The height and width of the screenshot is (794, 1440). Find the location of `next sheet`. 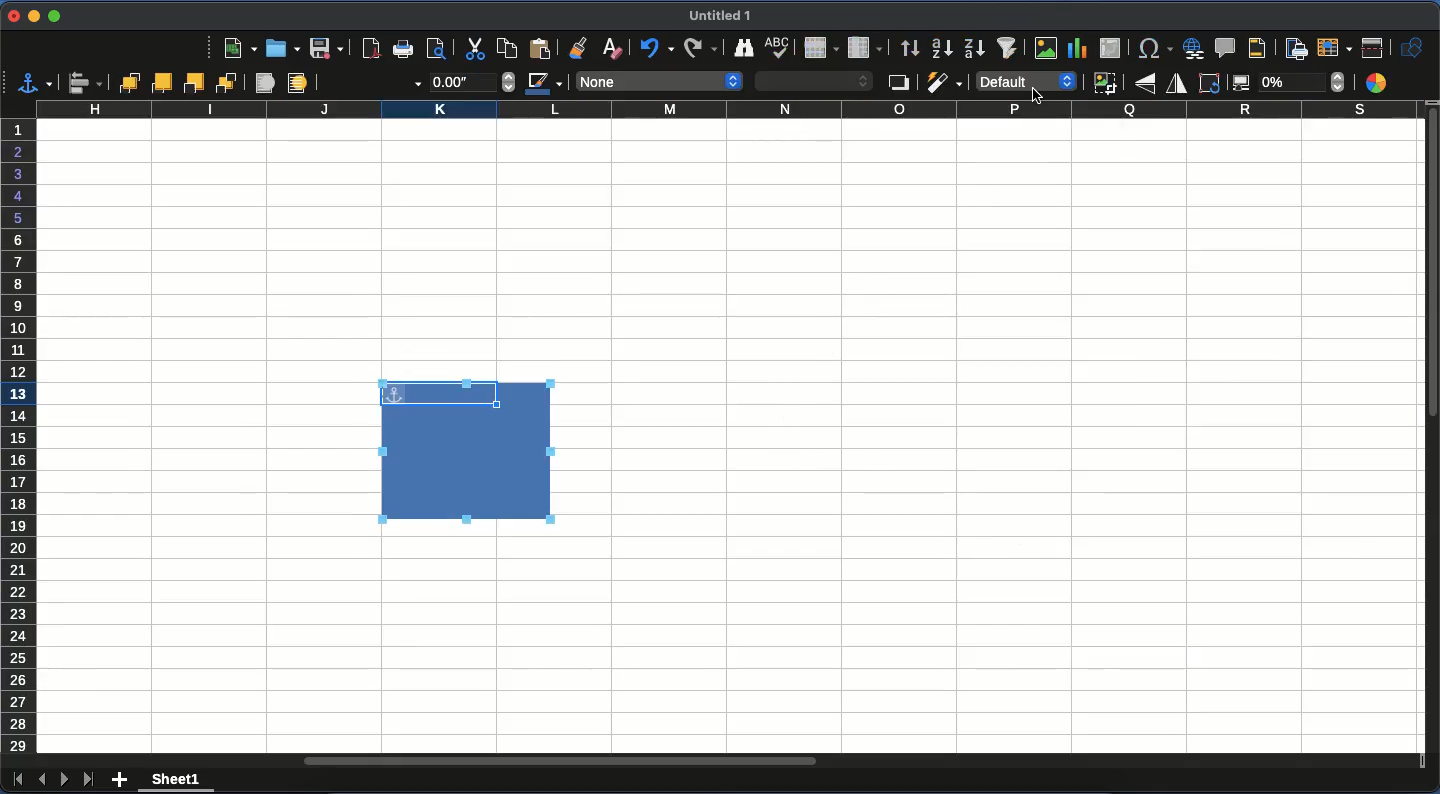

next sheet is located at coordinates (65, 779).